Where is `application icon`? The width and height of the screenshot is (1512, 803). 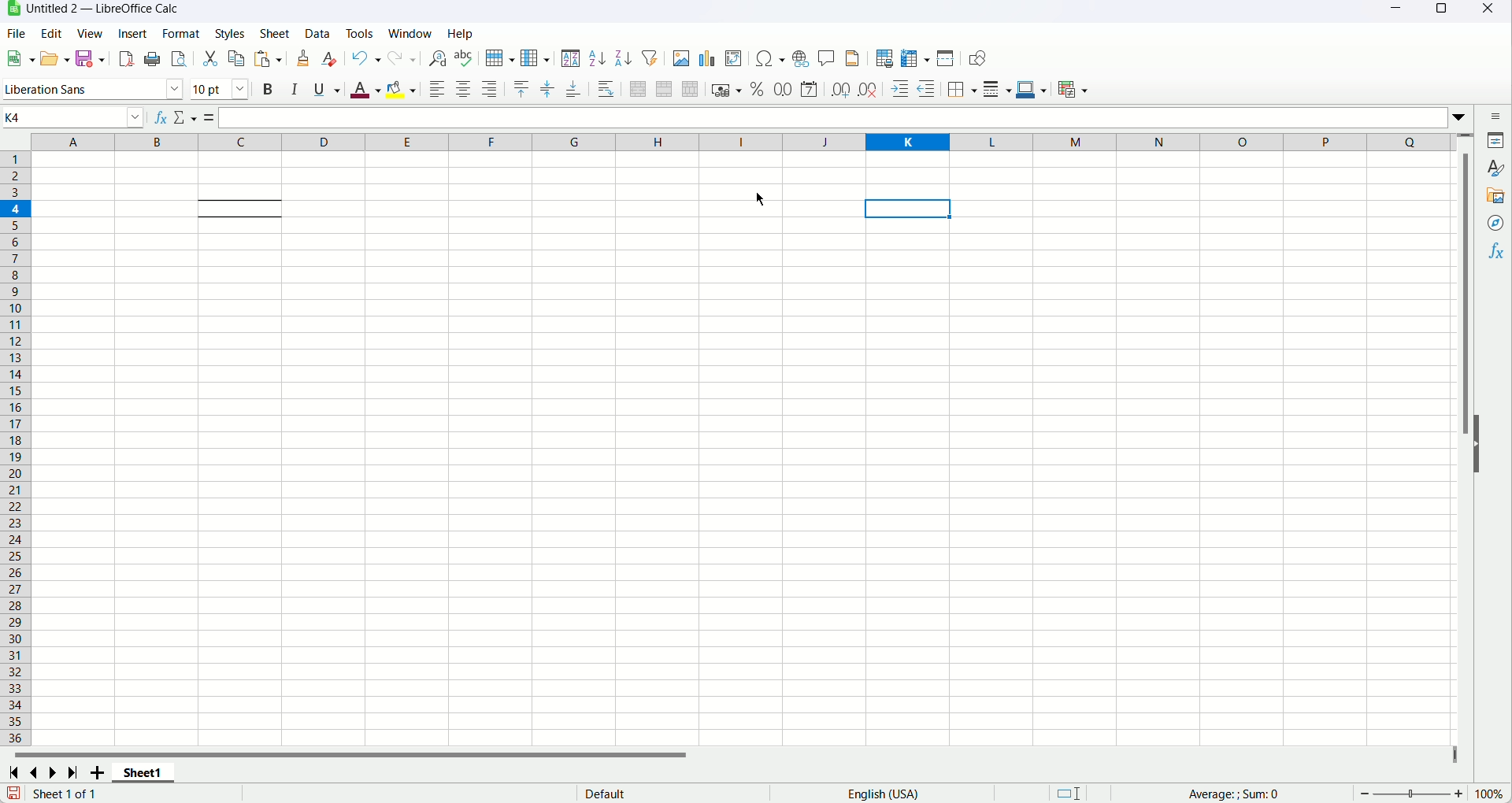 application icon is located at coordinates (13, 9).